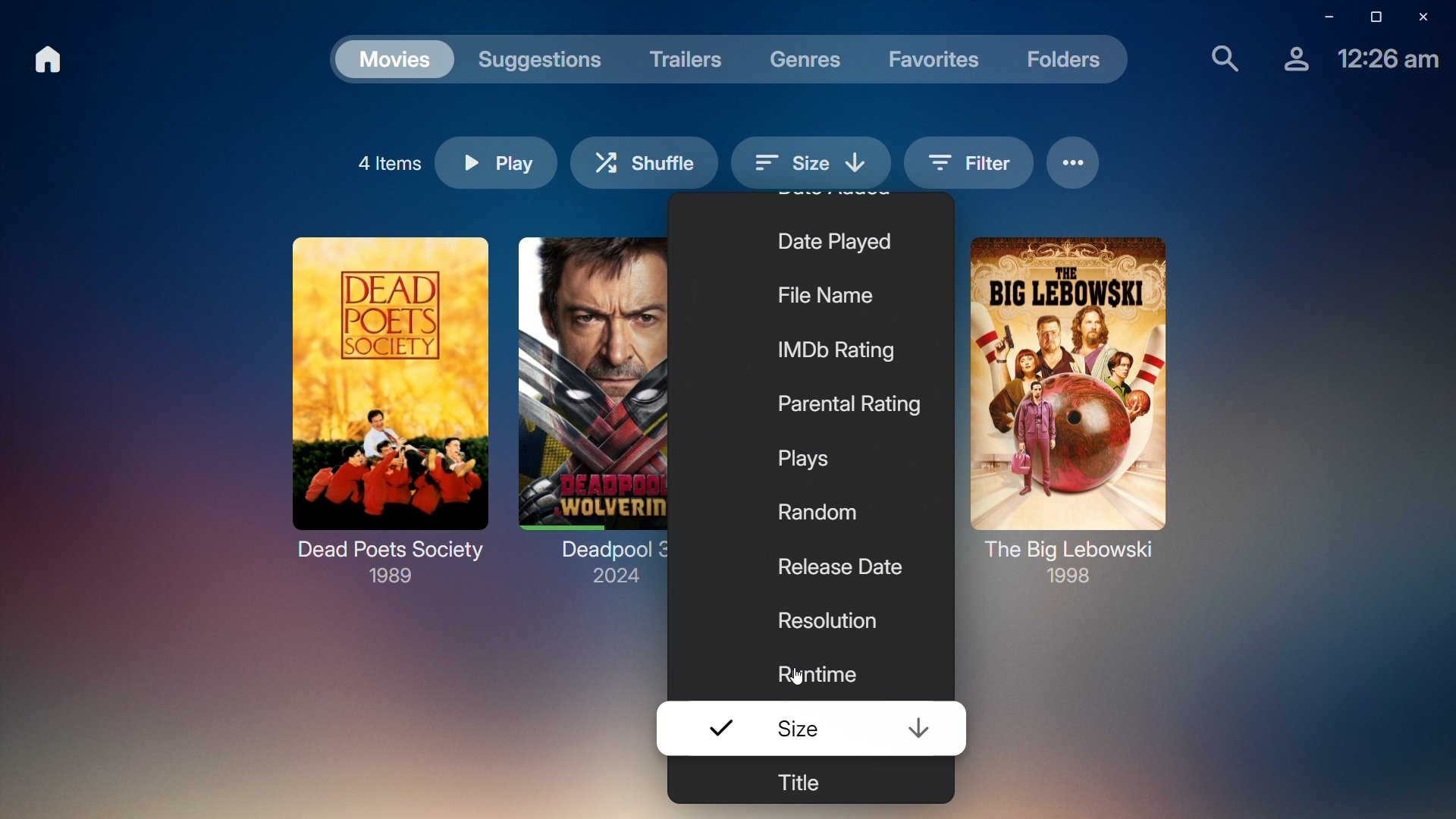 Image resolution: width=1456 pixels, height=819 pixels. What do you see at coordinates (1216, 61) in the screenshot?
I see `Find` at bounding box center [1216, 61].